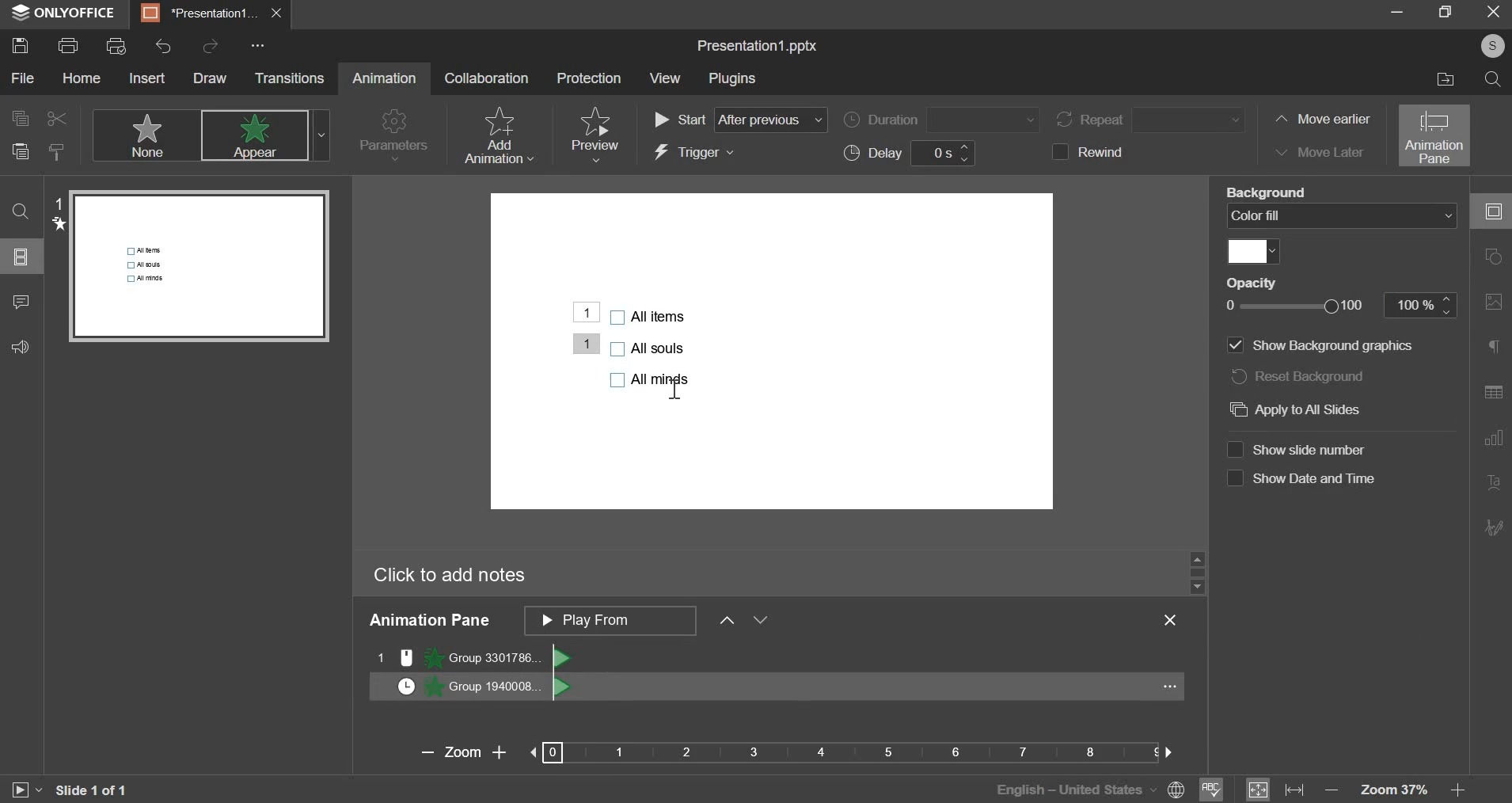  What do you see at coordinates (1153, 120) in the screenshot?
I see `repeat` at bounding box center [1153, 120].